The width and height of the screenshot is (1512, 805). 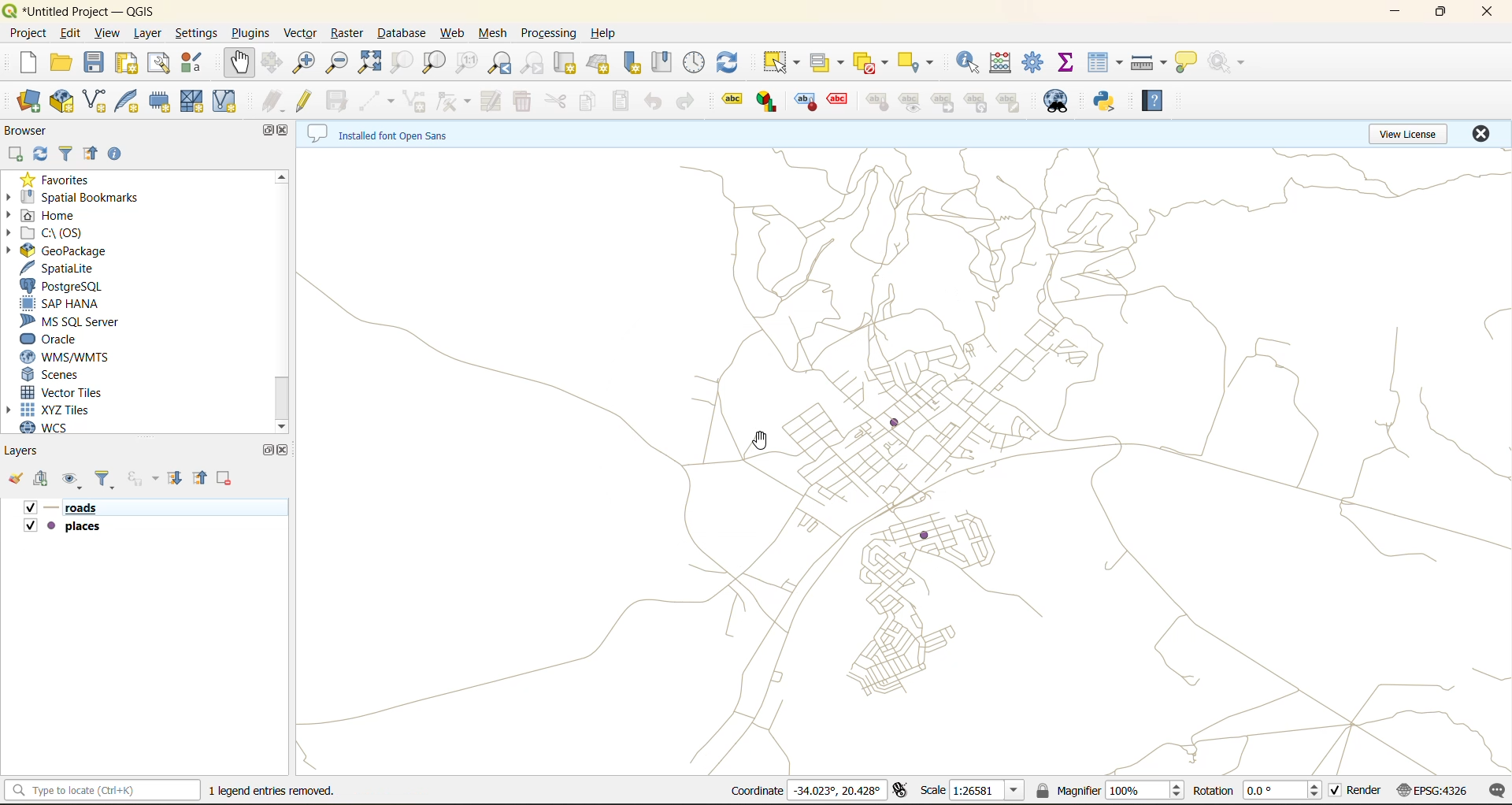 I want to click on zoom next, so click(x=537, y=62).